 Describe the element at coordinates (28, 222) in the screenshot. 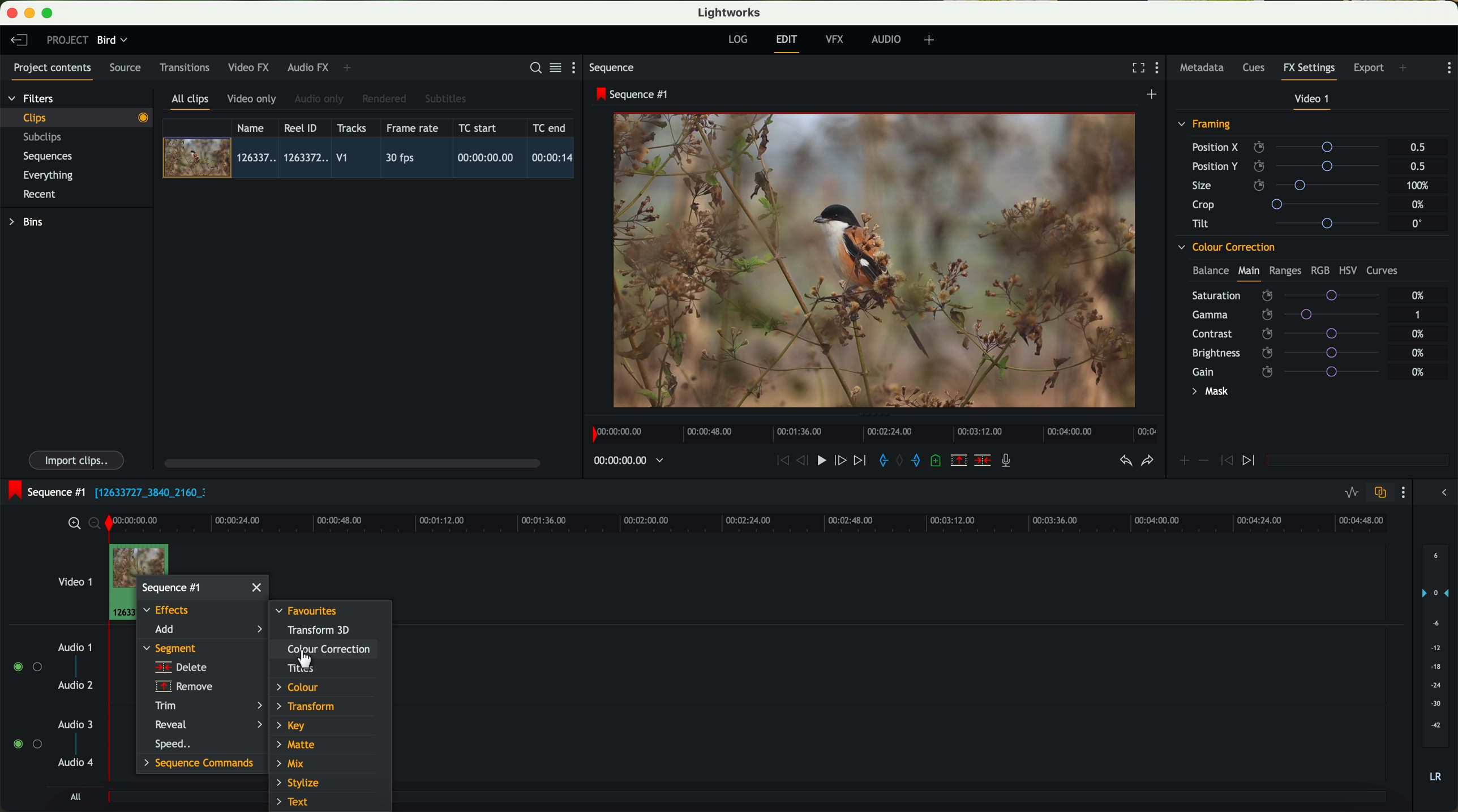

I see `bins` at that location.